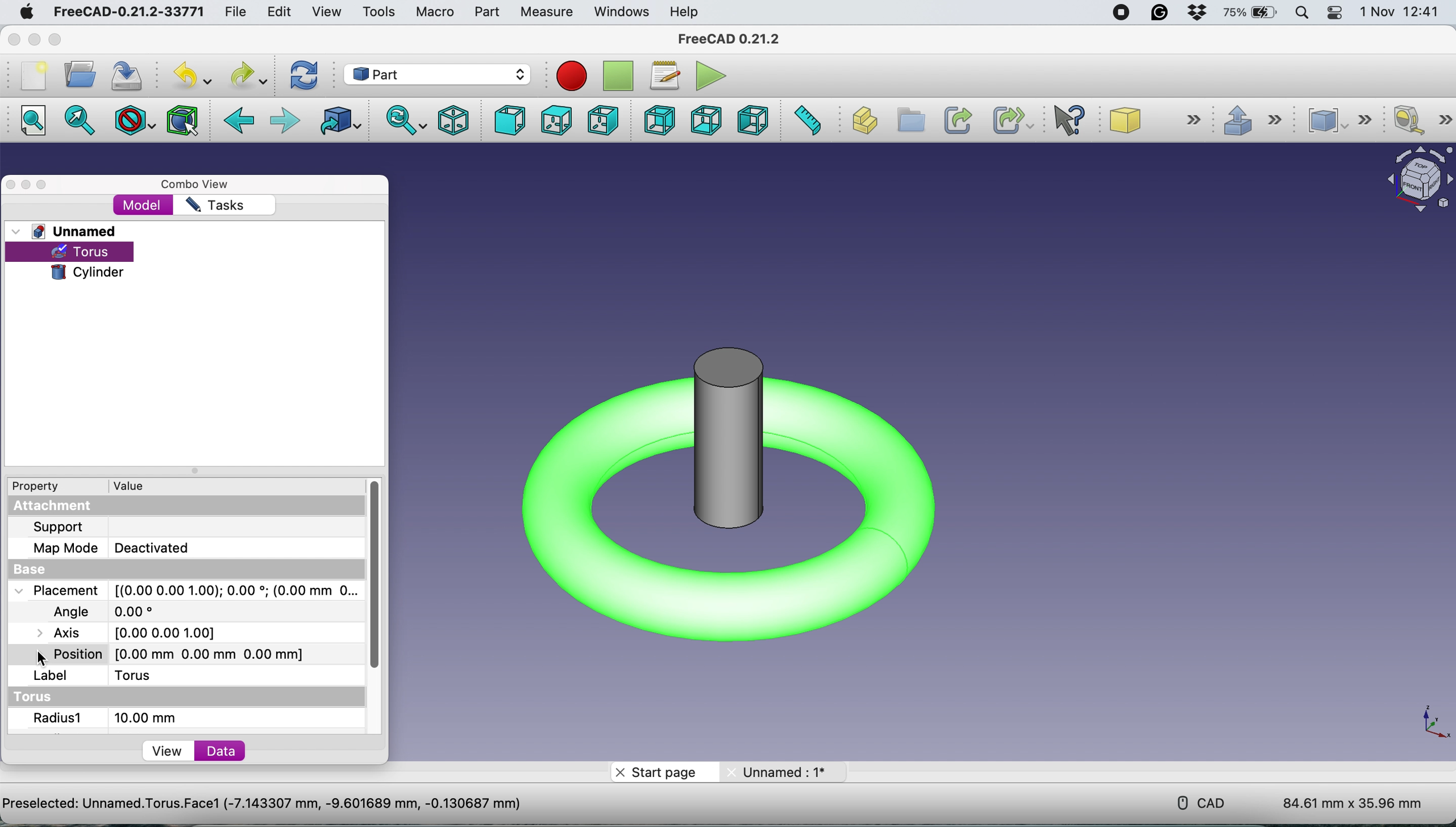  What do you see at coordinates (33, 570) in the screenshot?
I see `base` at bounding box center [33, 570].